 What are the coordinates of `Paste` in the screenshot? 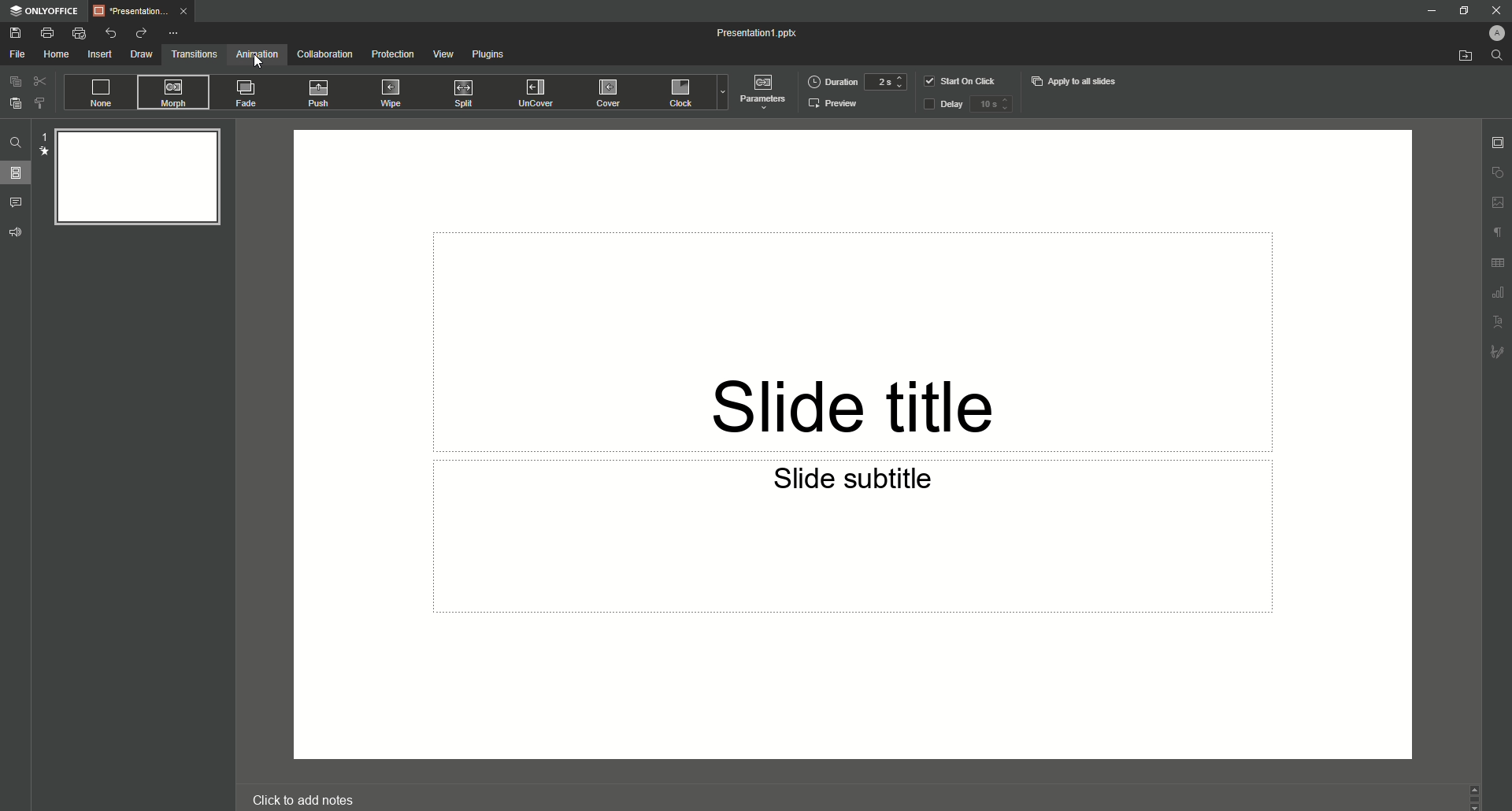 It's located at (15, 102).